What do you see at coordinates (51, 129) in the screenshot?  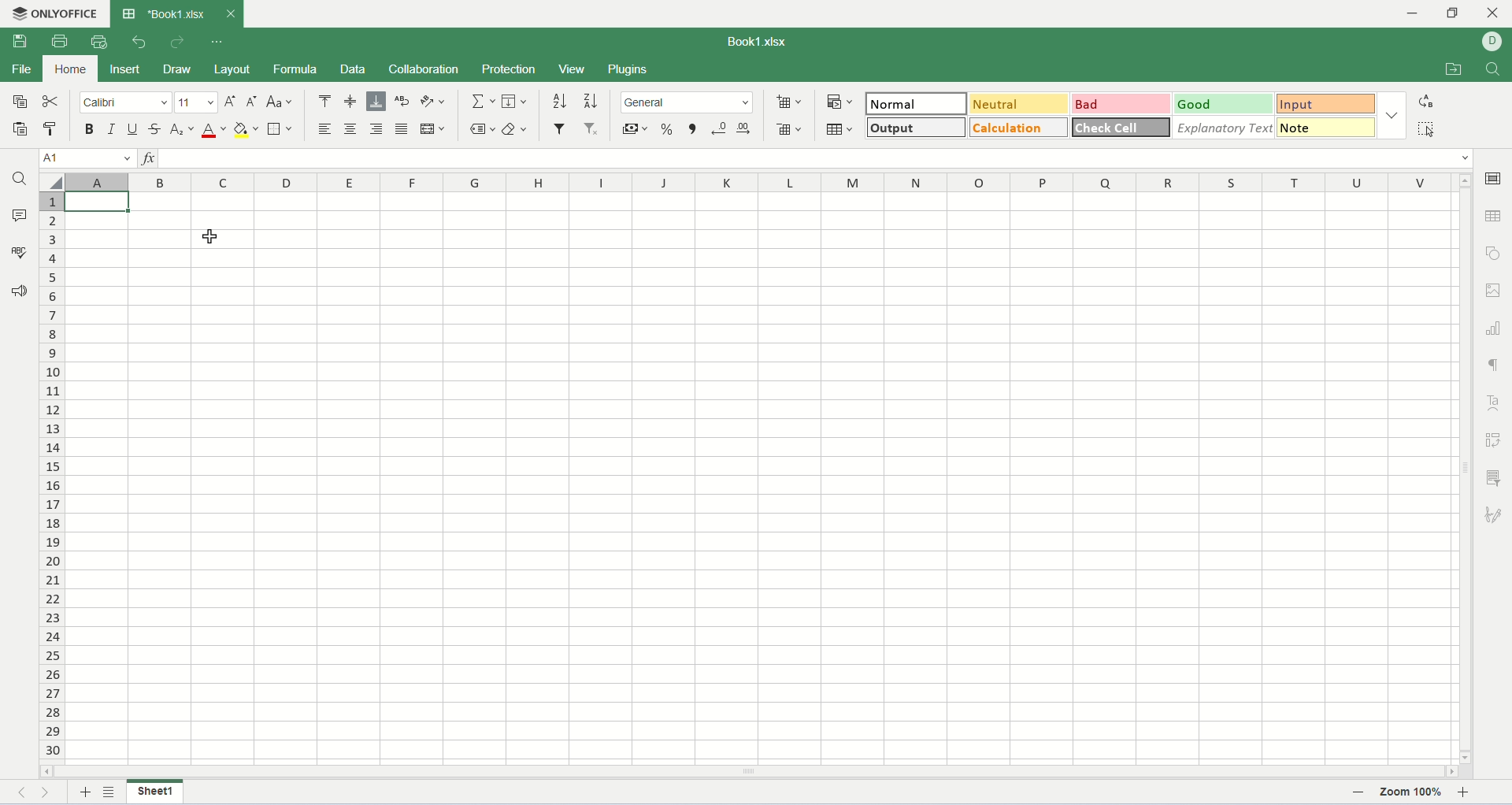 I see `copy style` at bounding box center [51, 129].